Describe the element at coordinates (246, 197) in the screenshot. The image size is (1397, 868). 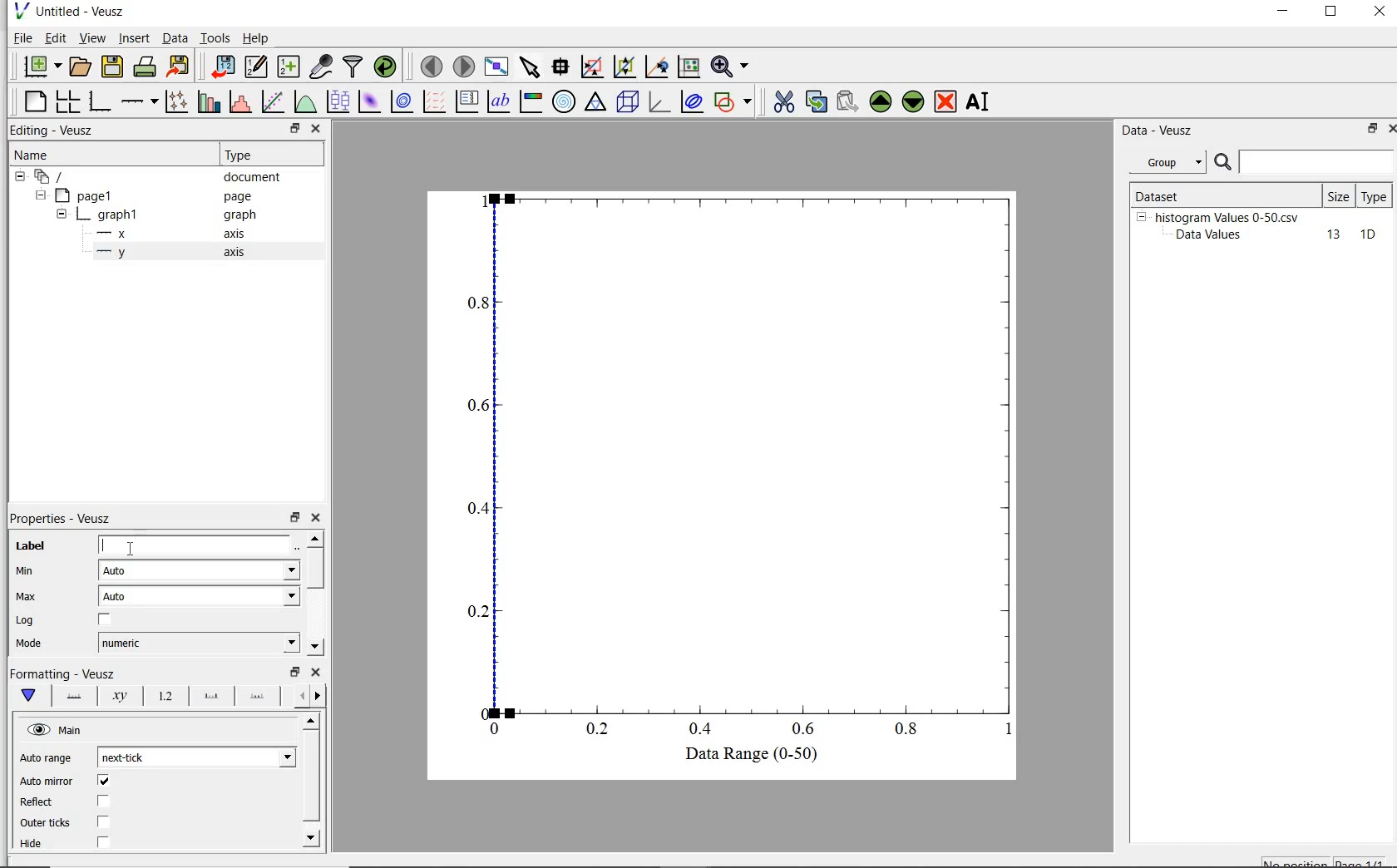
I see `page` at that location.